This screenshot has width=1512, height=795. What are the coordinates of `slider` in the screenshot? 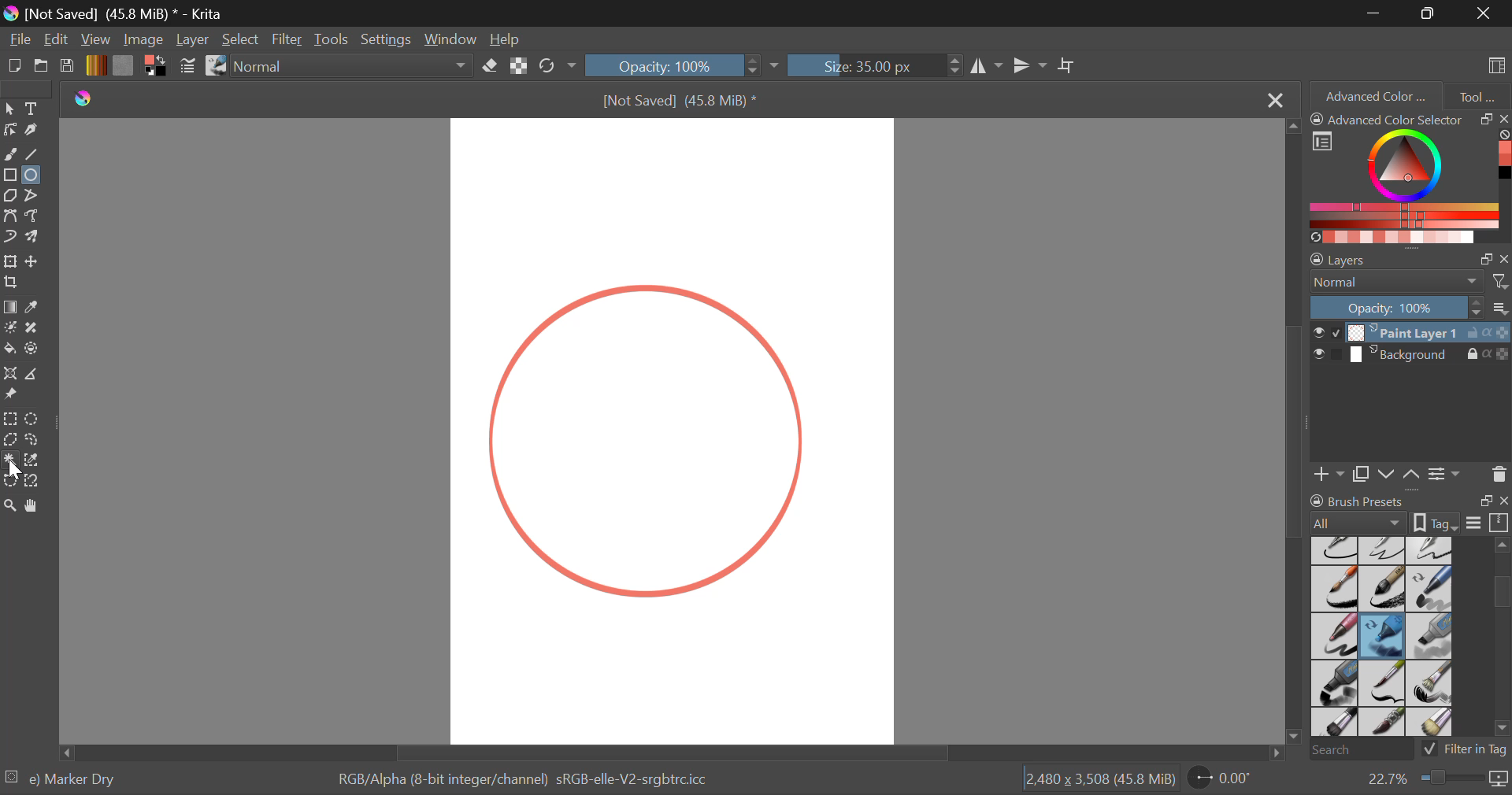 It's located at (1495, 639).